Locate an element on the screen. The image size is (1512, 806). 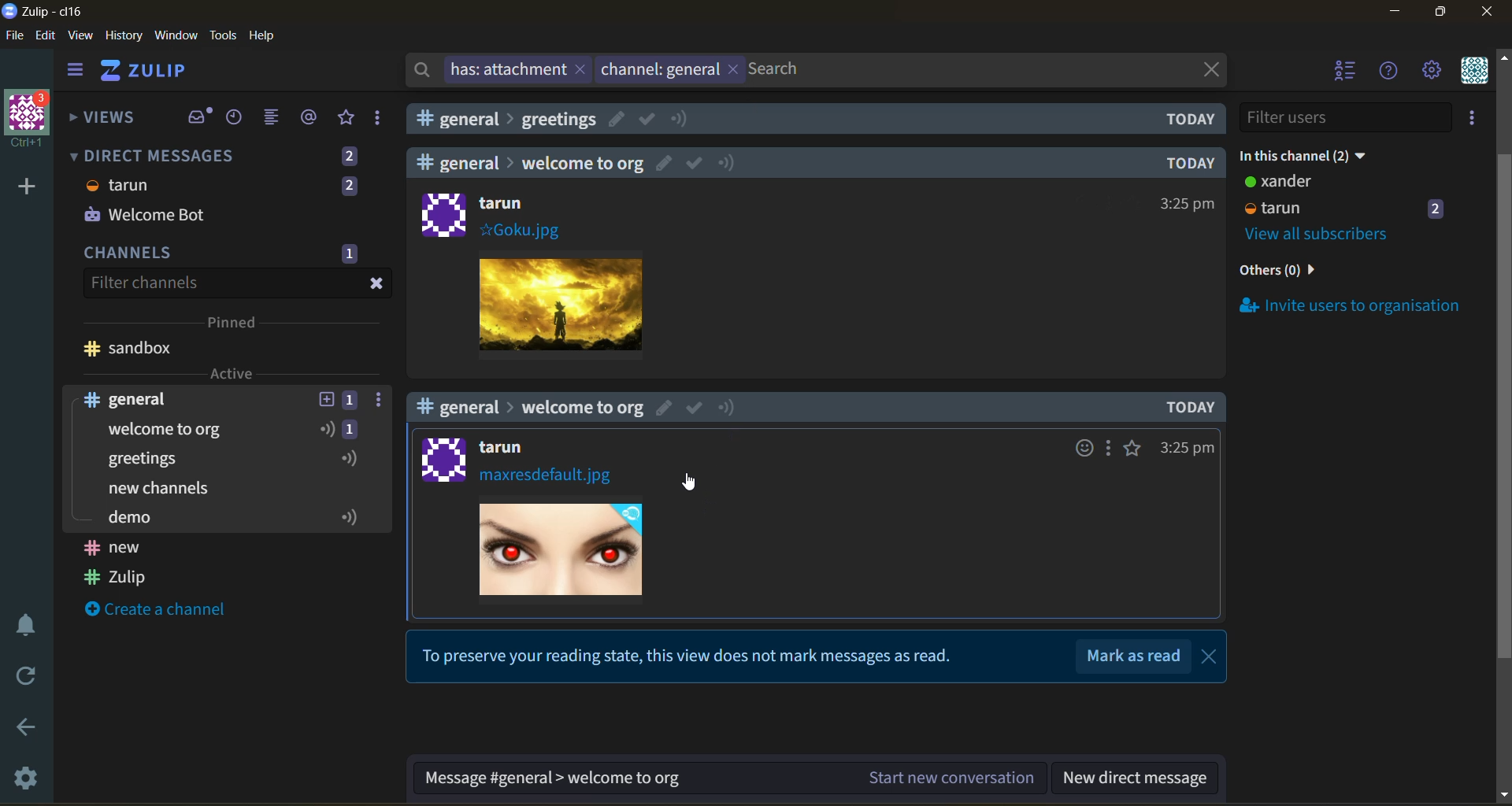
close is located at coordinates (378, 284).